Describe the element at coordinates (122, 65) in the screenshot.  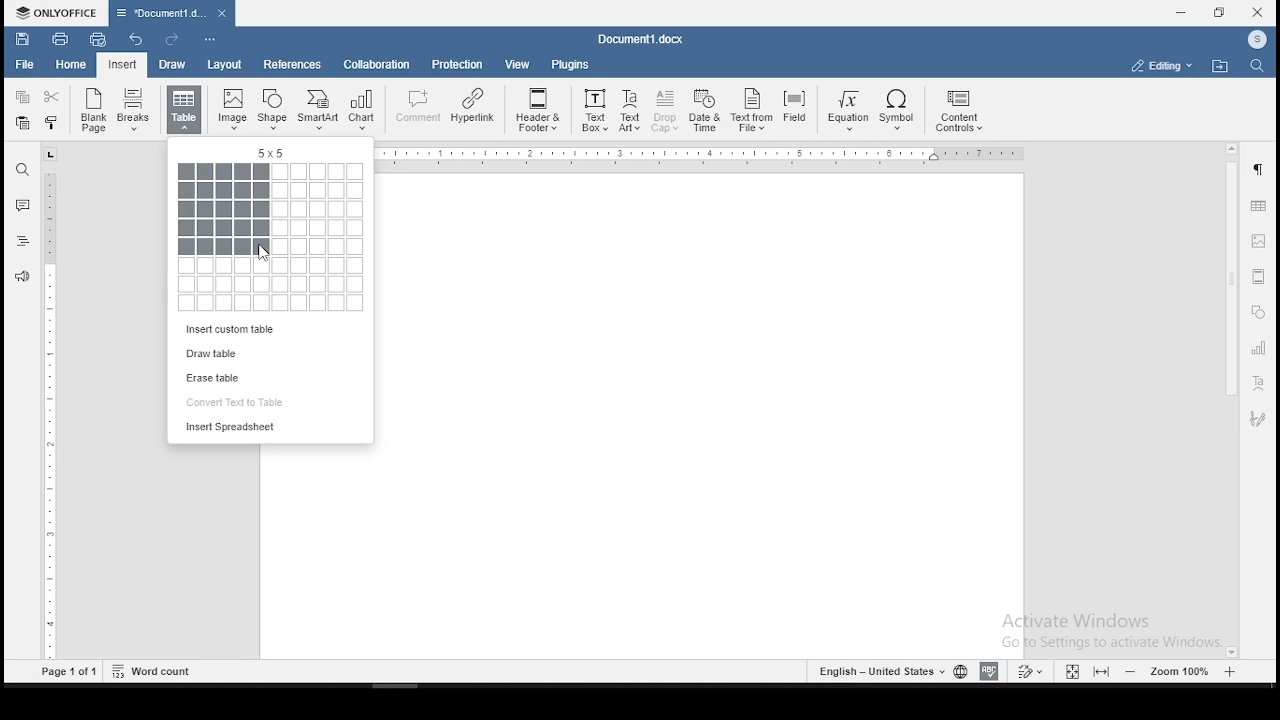
I see `input` at that location.